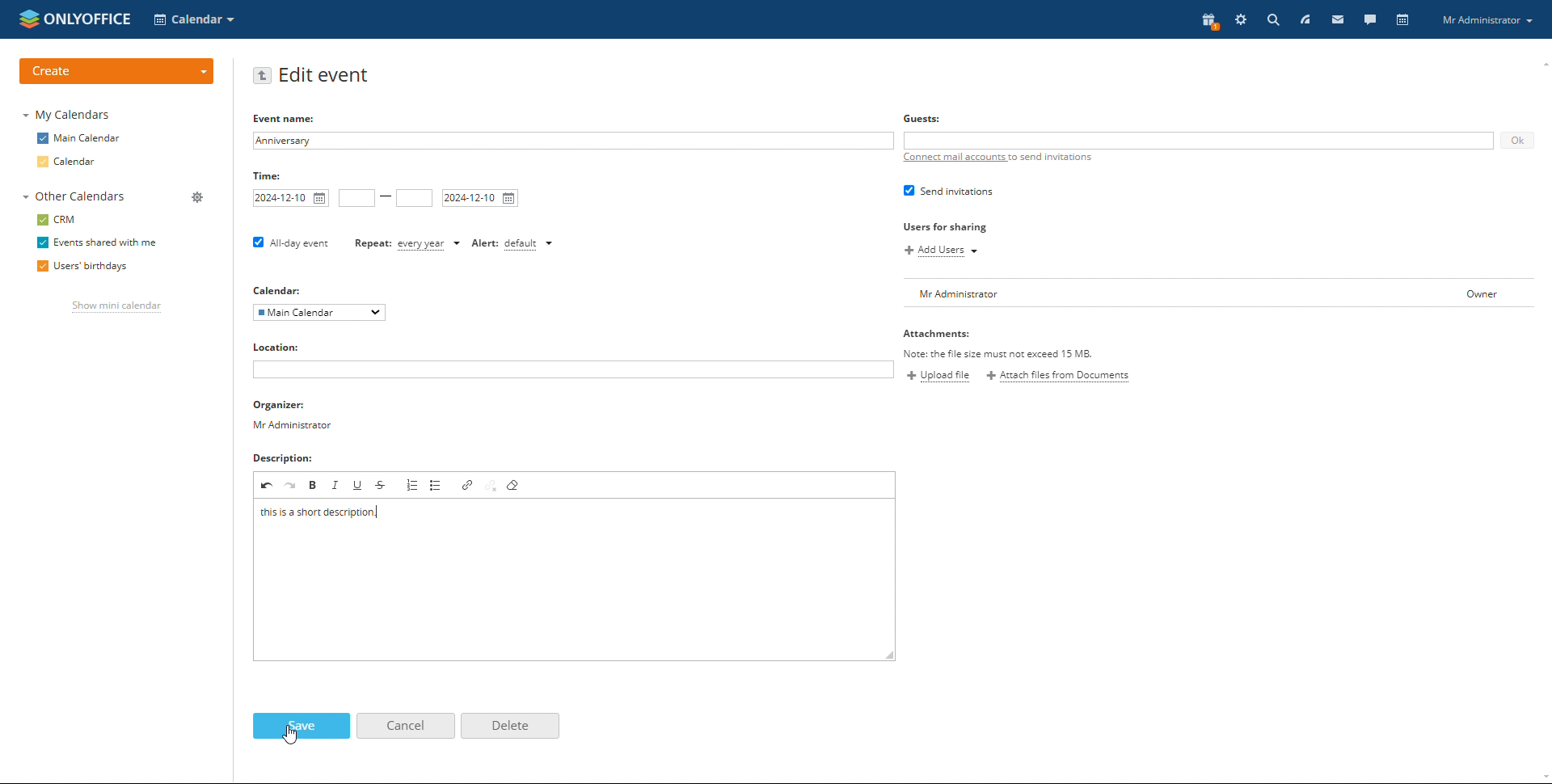 The image size is (1552, 784). Describe the element at coordinates (508, 727) in the screenshot. I see `delete` at that location.